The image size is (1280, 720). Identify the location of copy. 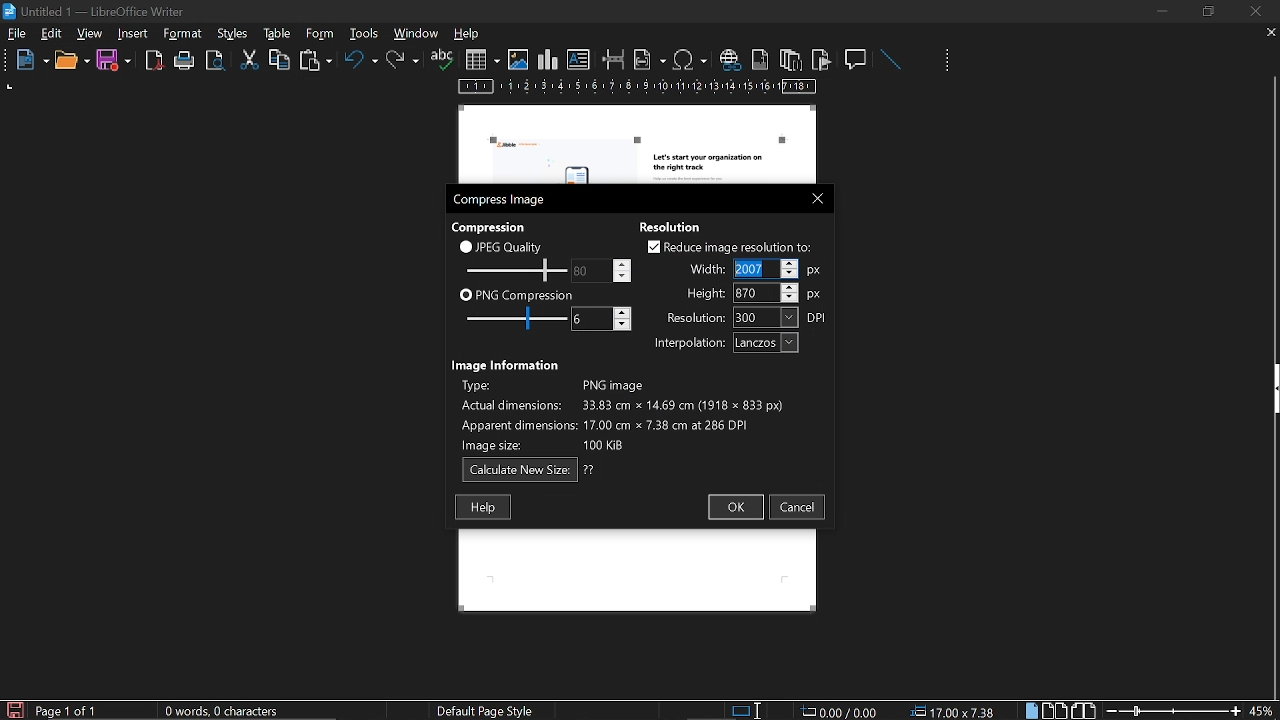
(279, 59).